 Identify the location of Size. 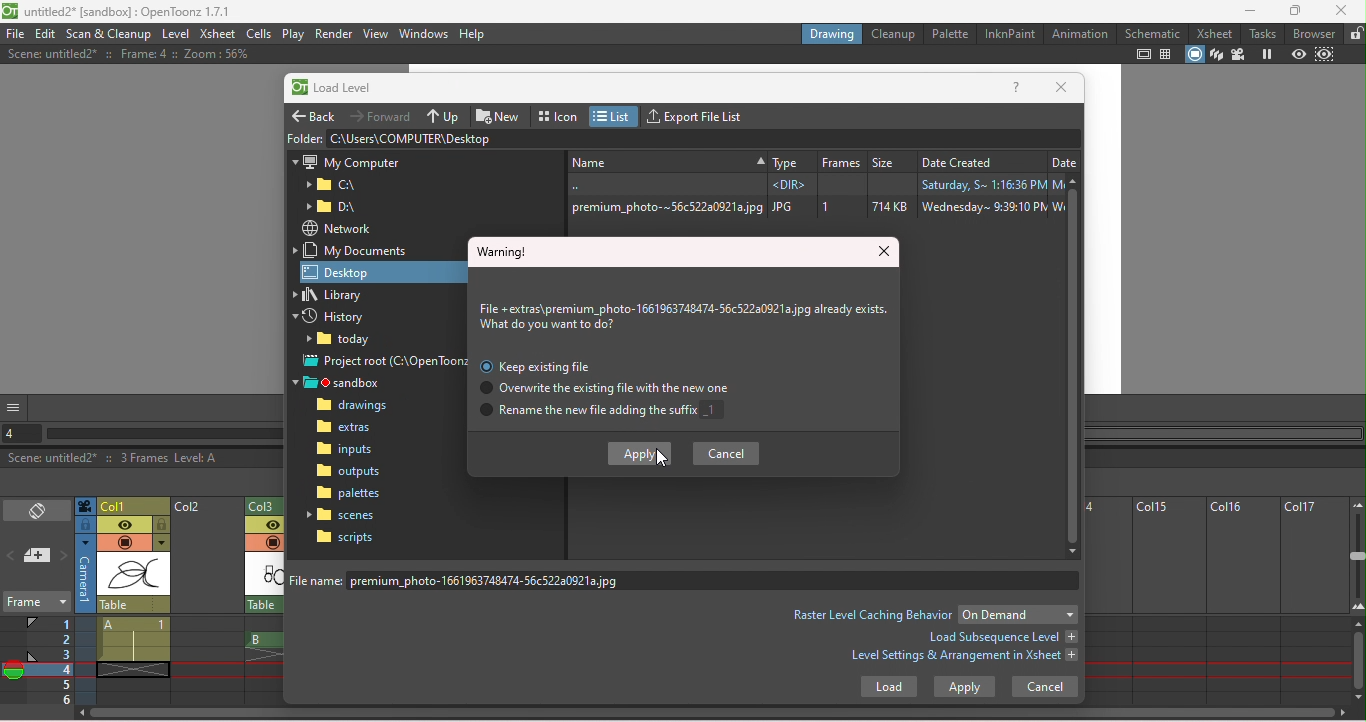
(891, 159).